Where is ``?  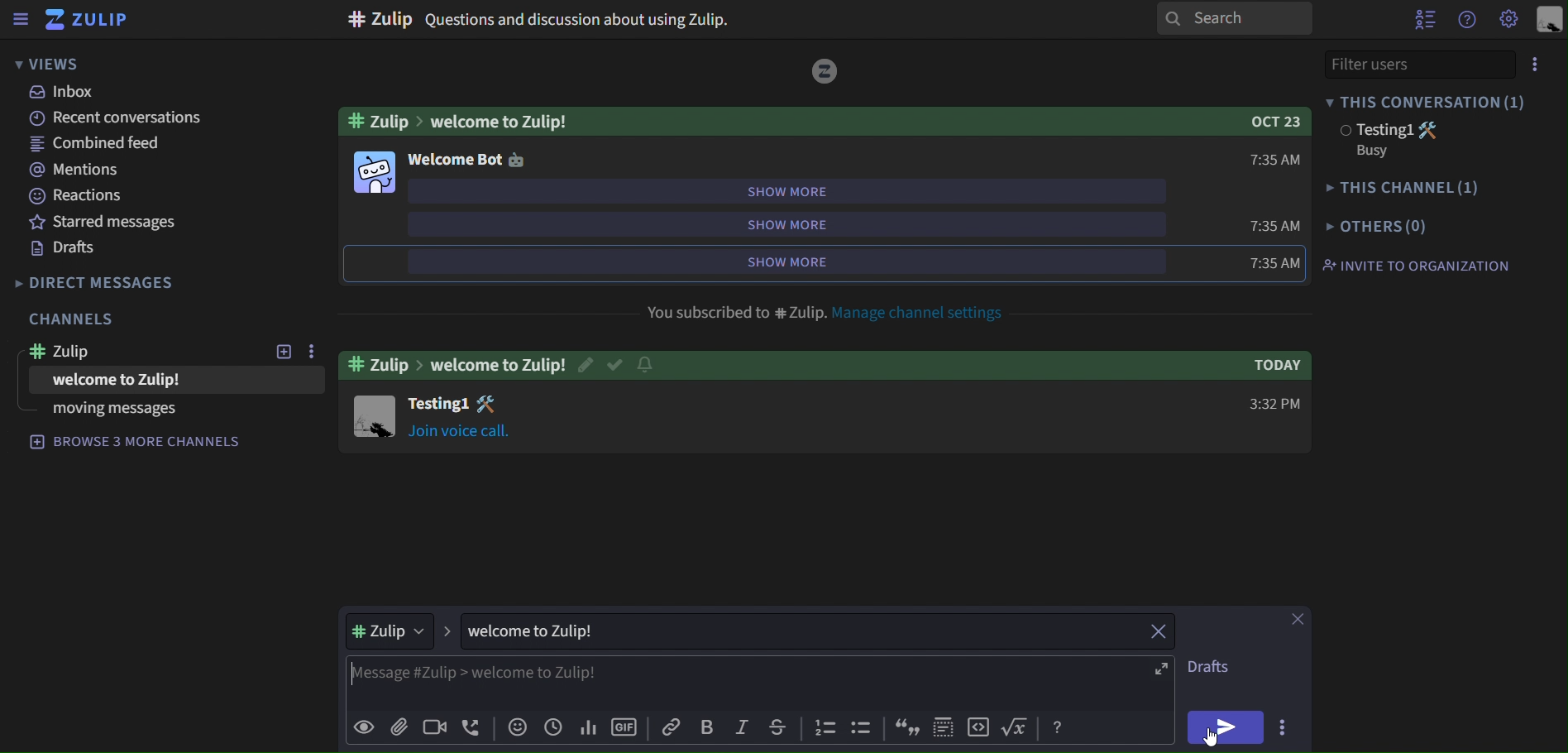
 is located at coordinates (1058, 727).